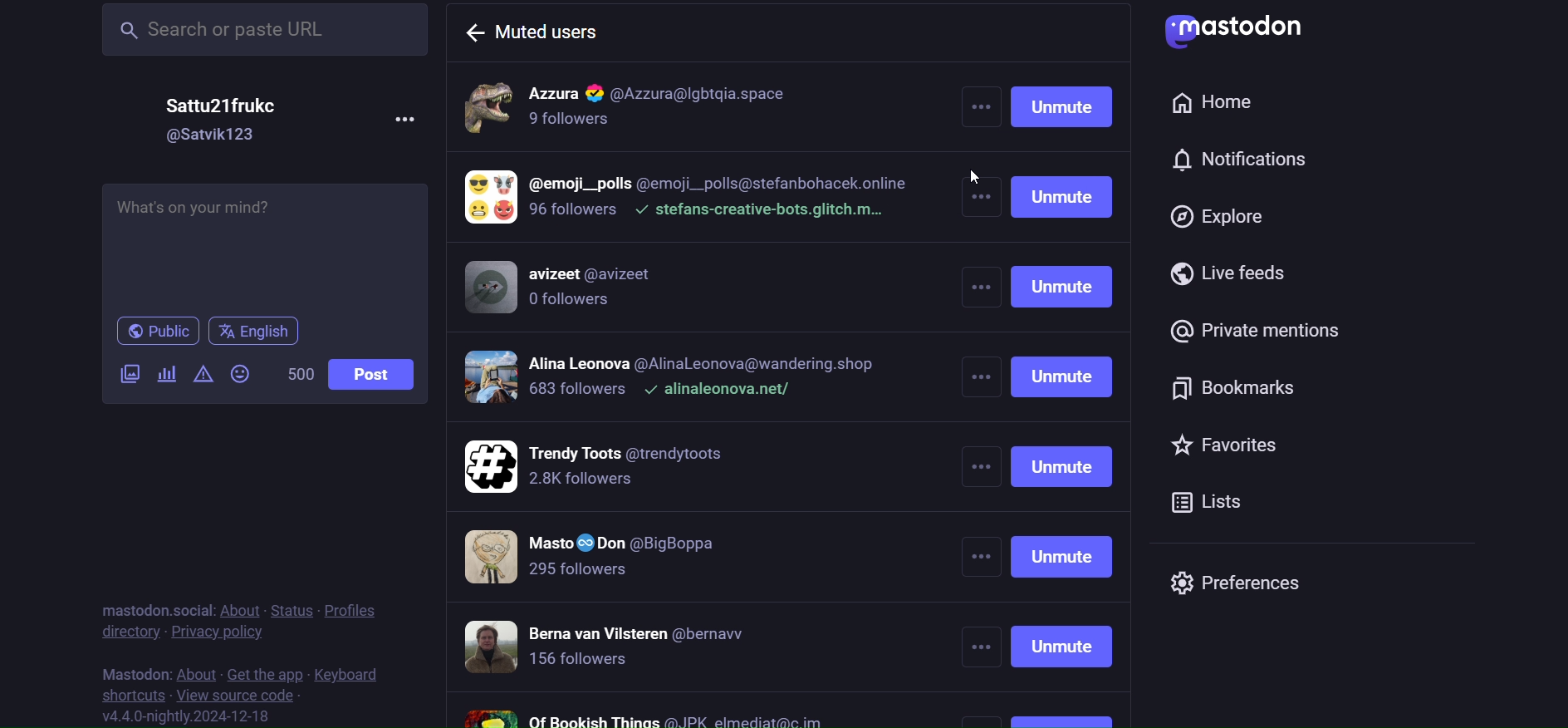  Describe the element at coordinates (419, 114) in the screenshot. I see `more` at that location.